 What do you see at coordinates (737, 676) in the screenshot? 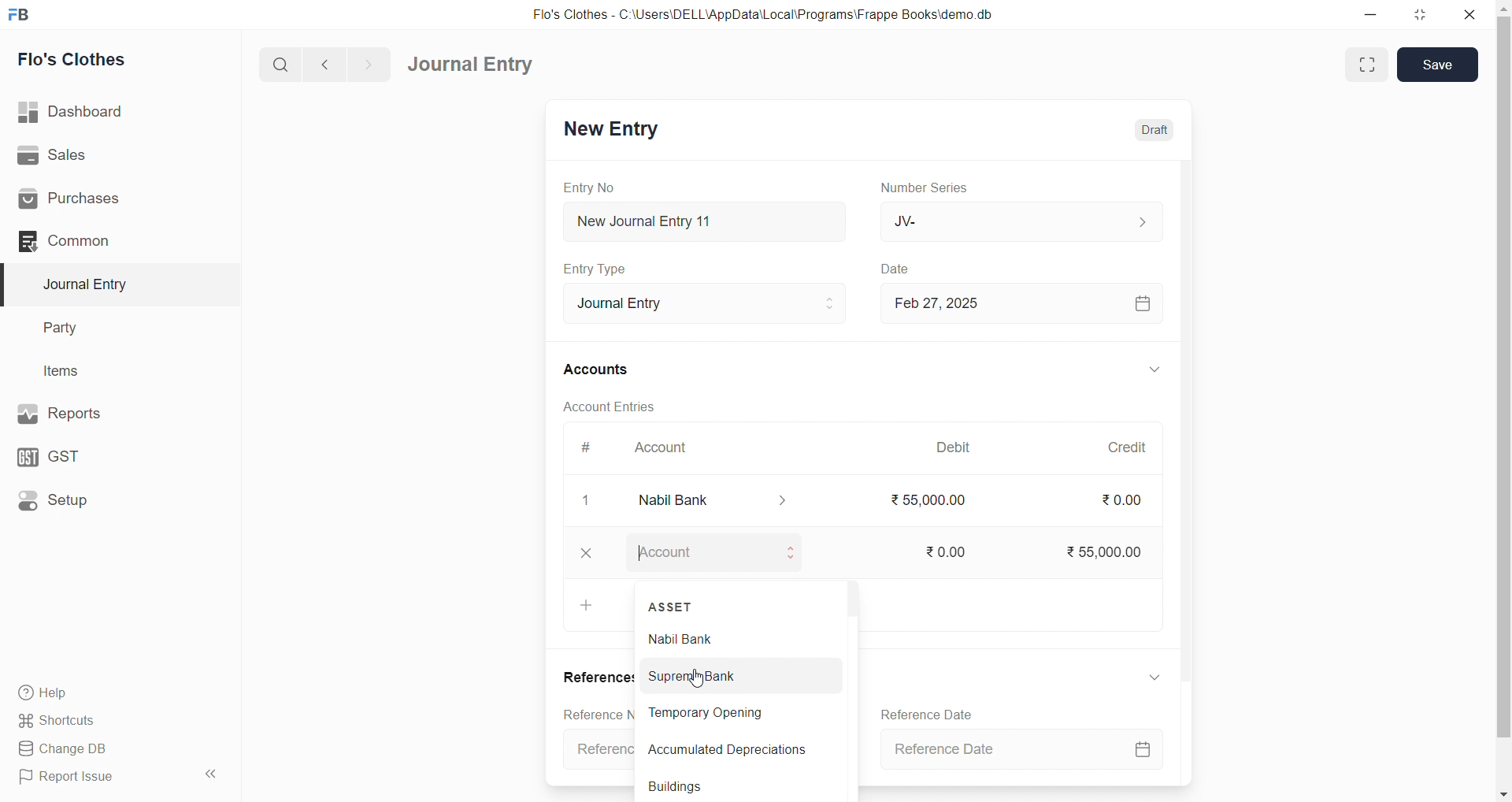
I see `Supreme Bank` at bounding box center [737, 676].